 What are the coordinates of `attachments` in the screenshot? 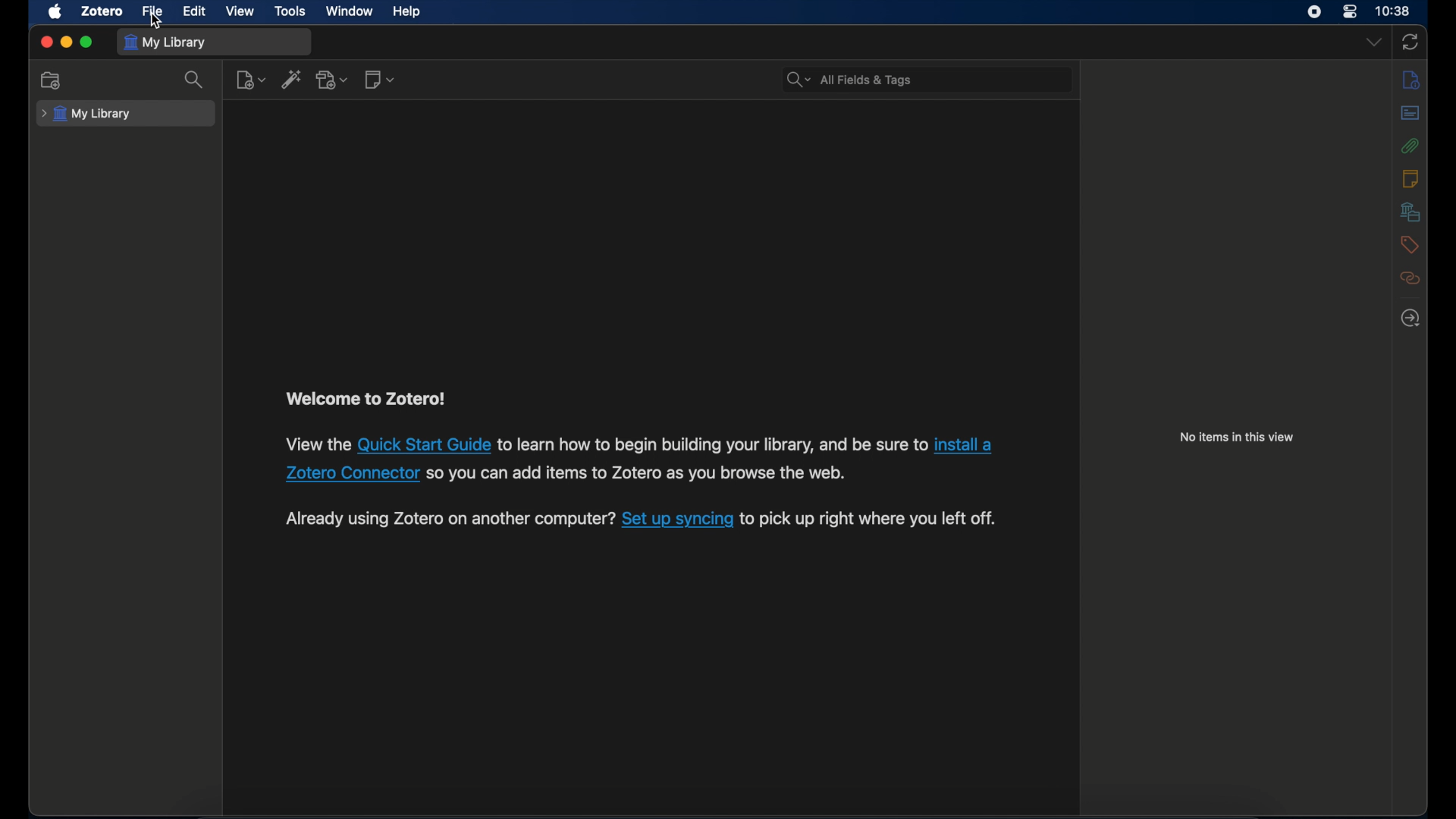 It's located at (1410, 146).